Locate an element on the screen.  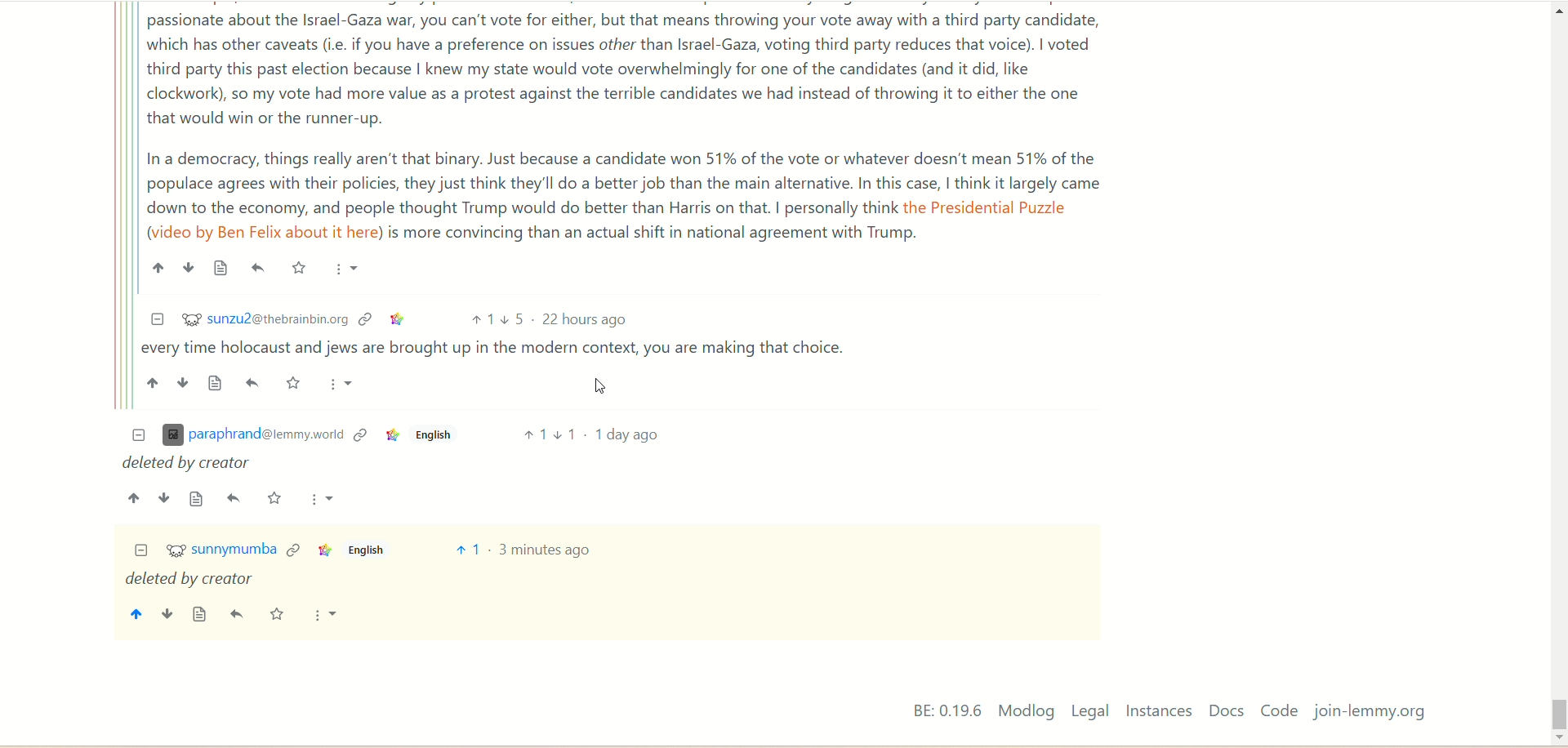
More is located at coordinates (323, 499).